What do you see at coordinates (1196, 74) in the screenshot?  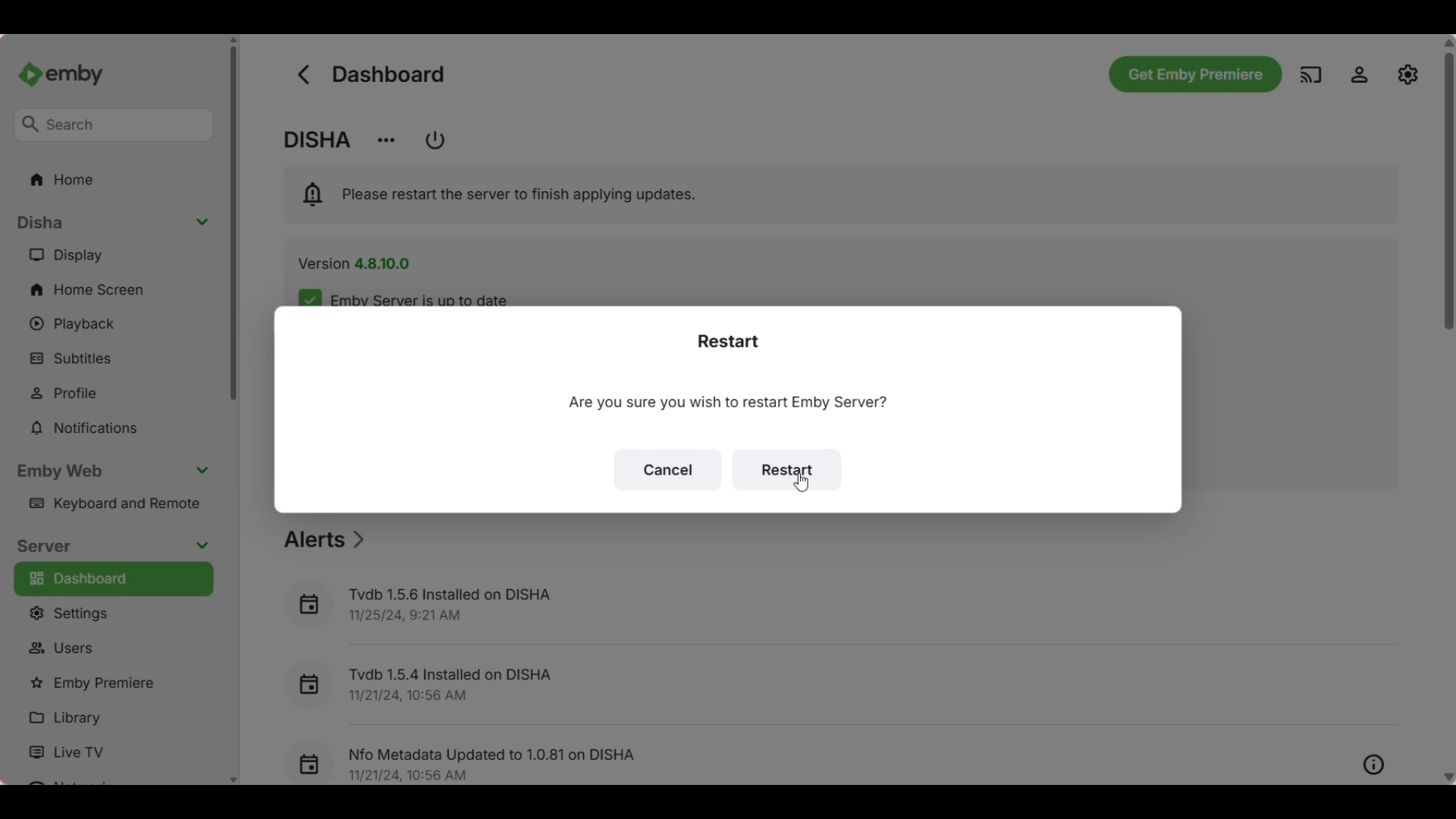 I see `Get Emby premiere` at bounding box center [1196, 74].